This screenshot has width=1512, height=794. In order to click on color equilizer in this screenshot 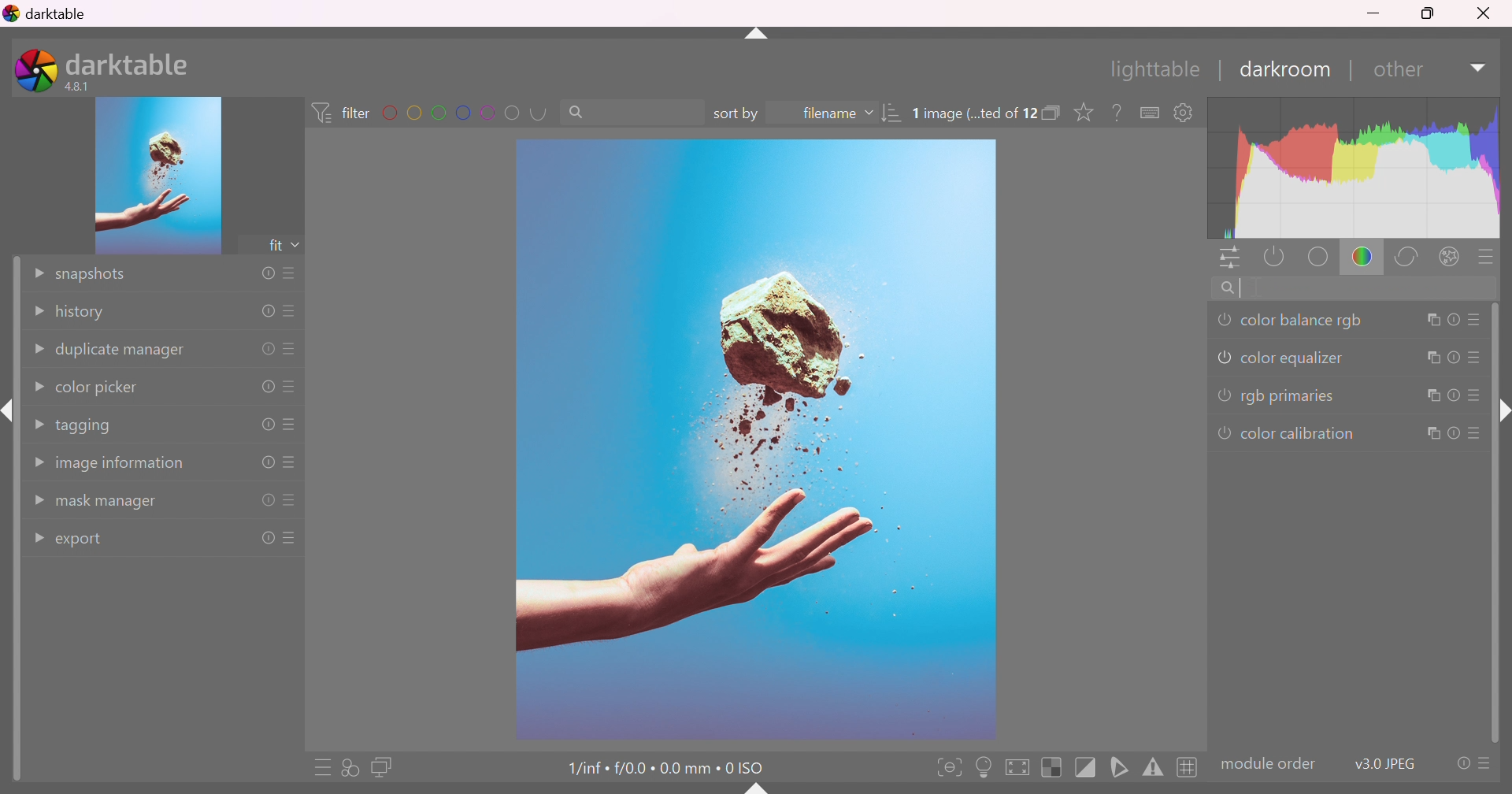, I will do `click(1297, 358)`.